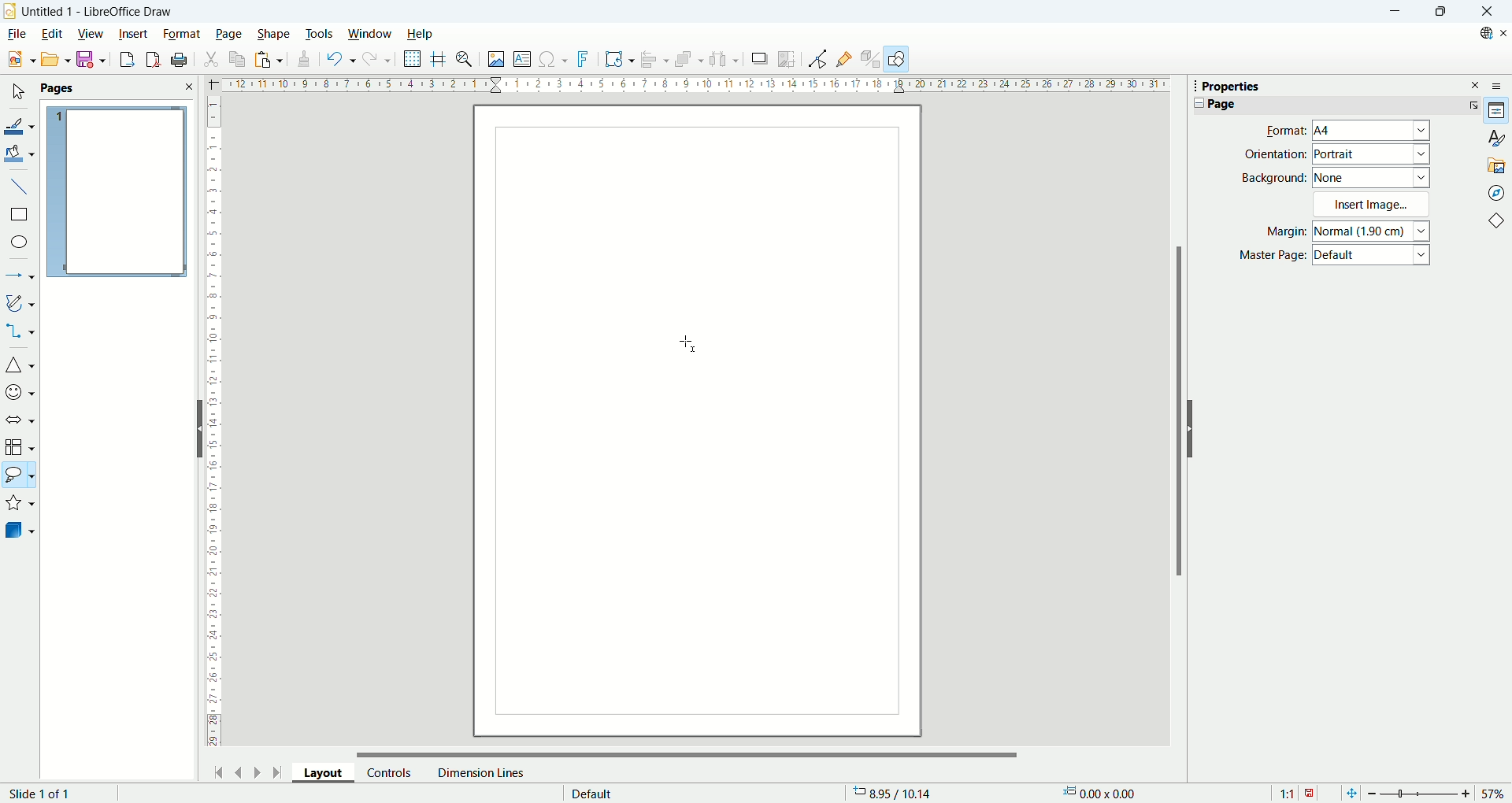  Describe the element at coordinates (220, 771) in the screenshot. I see `go to first page` at that location.